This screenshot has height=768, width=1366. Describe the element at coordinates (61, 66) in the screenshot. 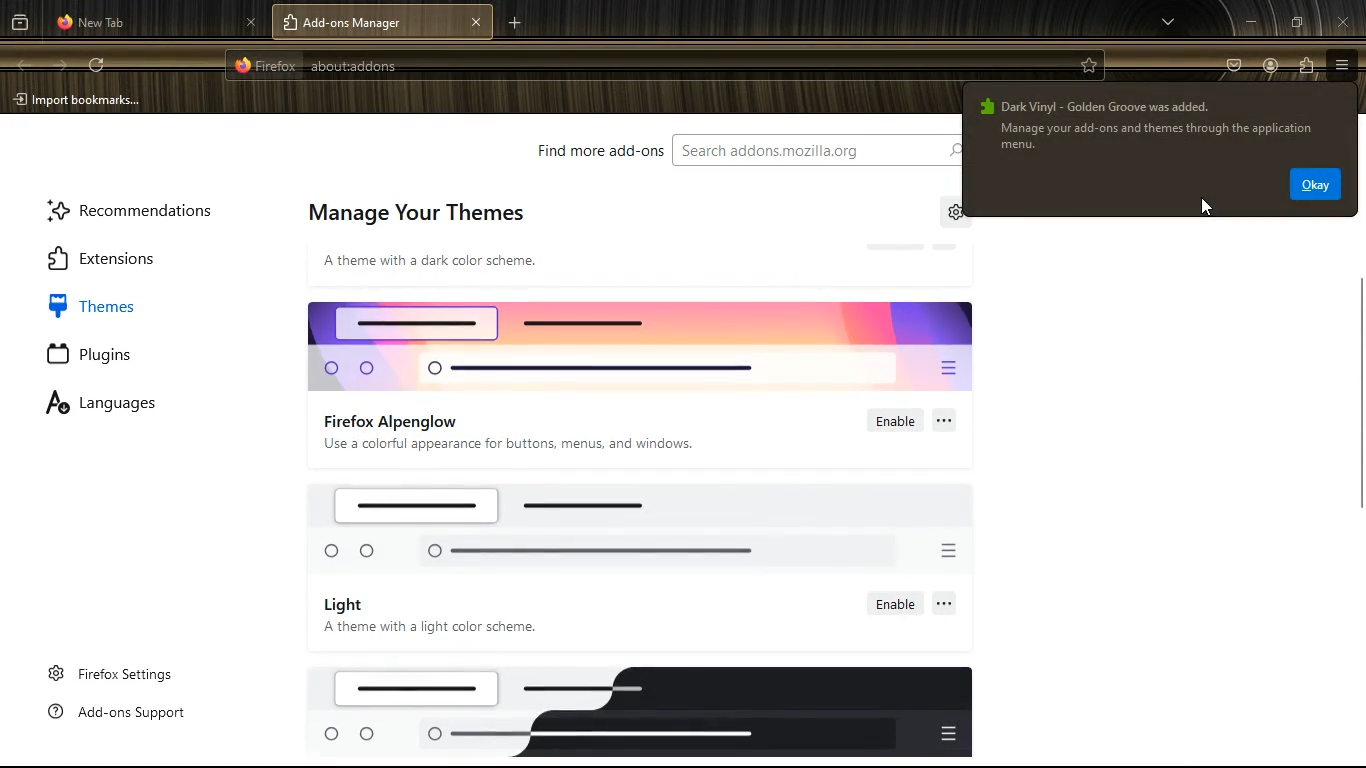

I see `forward` at that location.